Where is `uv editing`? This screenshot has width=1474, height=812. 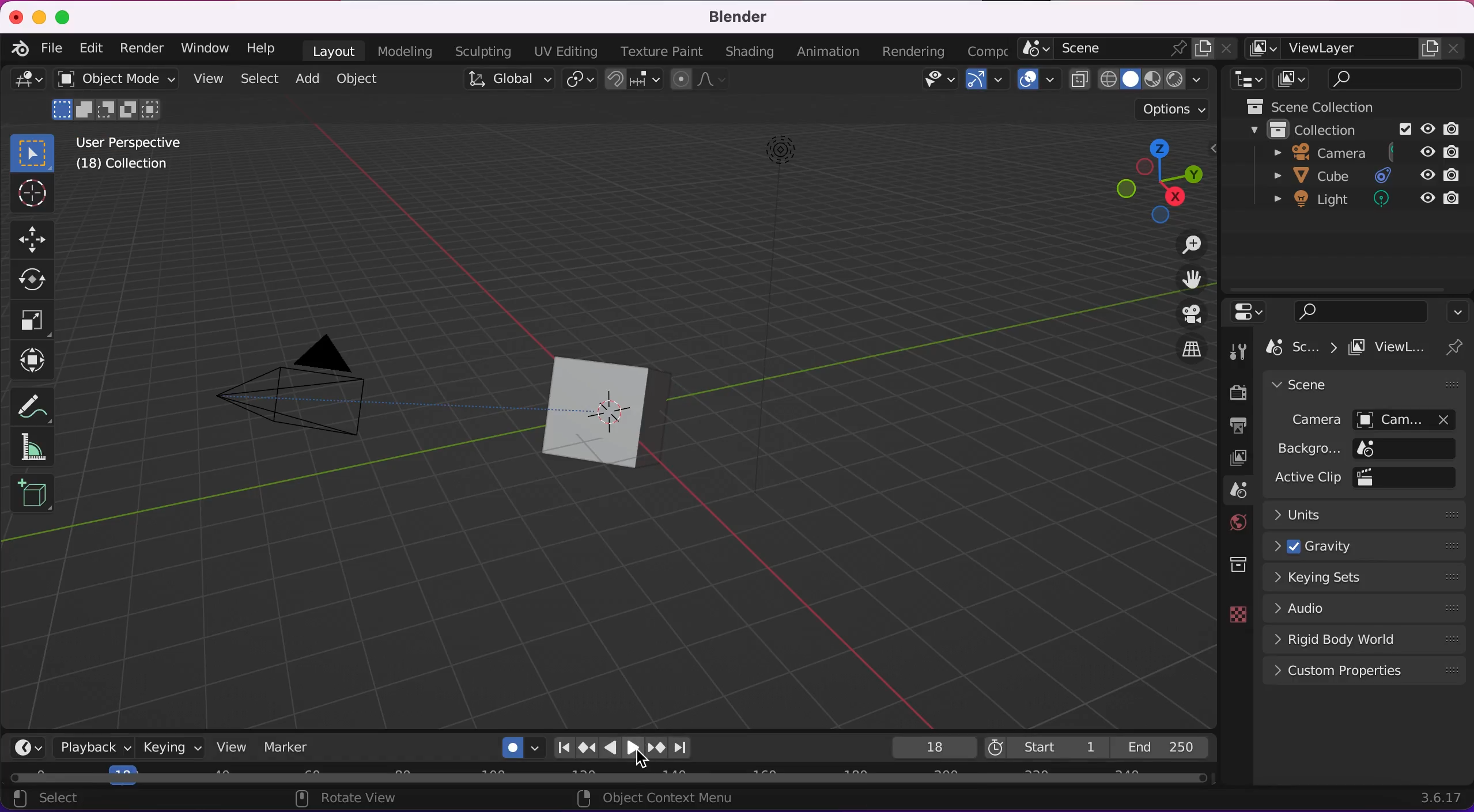 uv editing is located at coordinates (559, 51).